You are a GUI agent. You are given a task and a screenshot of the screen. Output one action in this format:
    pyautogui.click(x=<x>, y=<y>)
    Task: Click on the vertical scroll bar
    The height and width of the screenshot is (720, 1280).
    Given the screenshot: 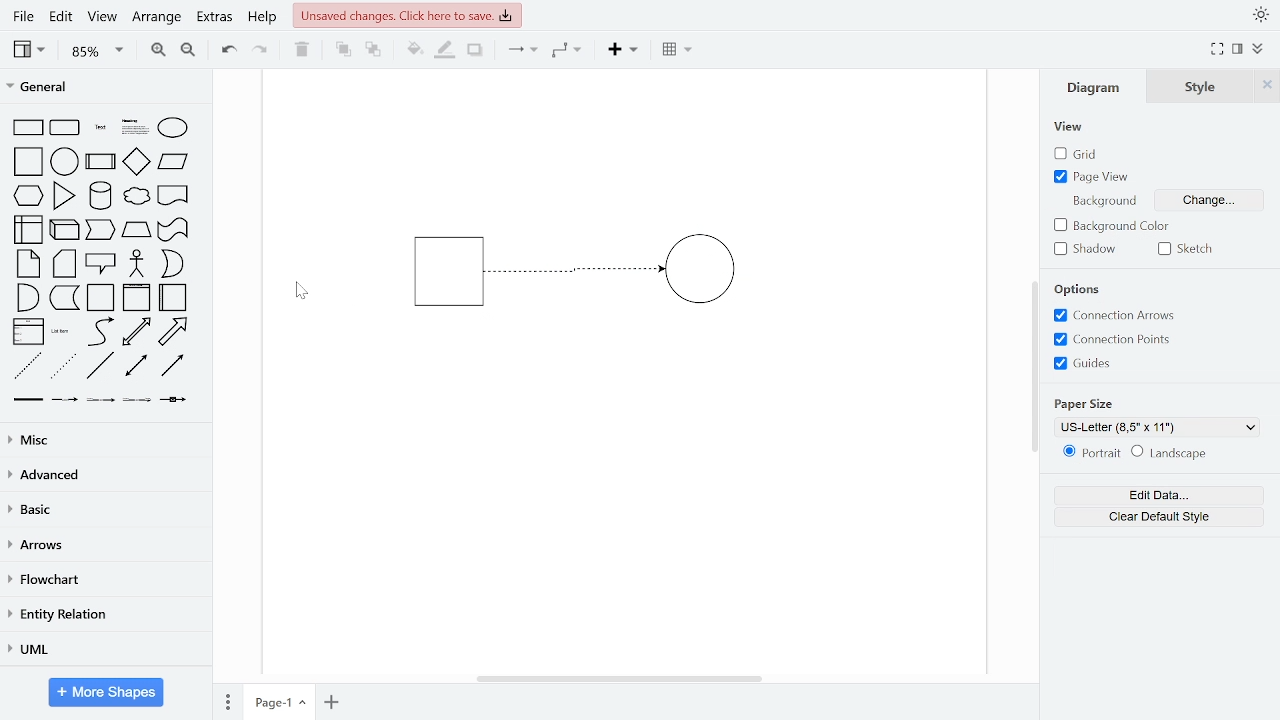 What is the action you would take?
    pyautogui.click(x=1034, y=368)
    